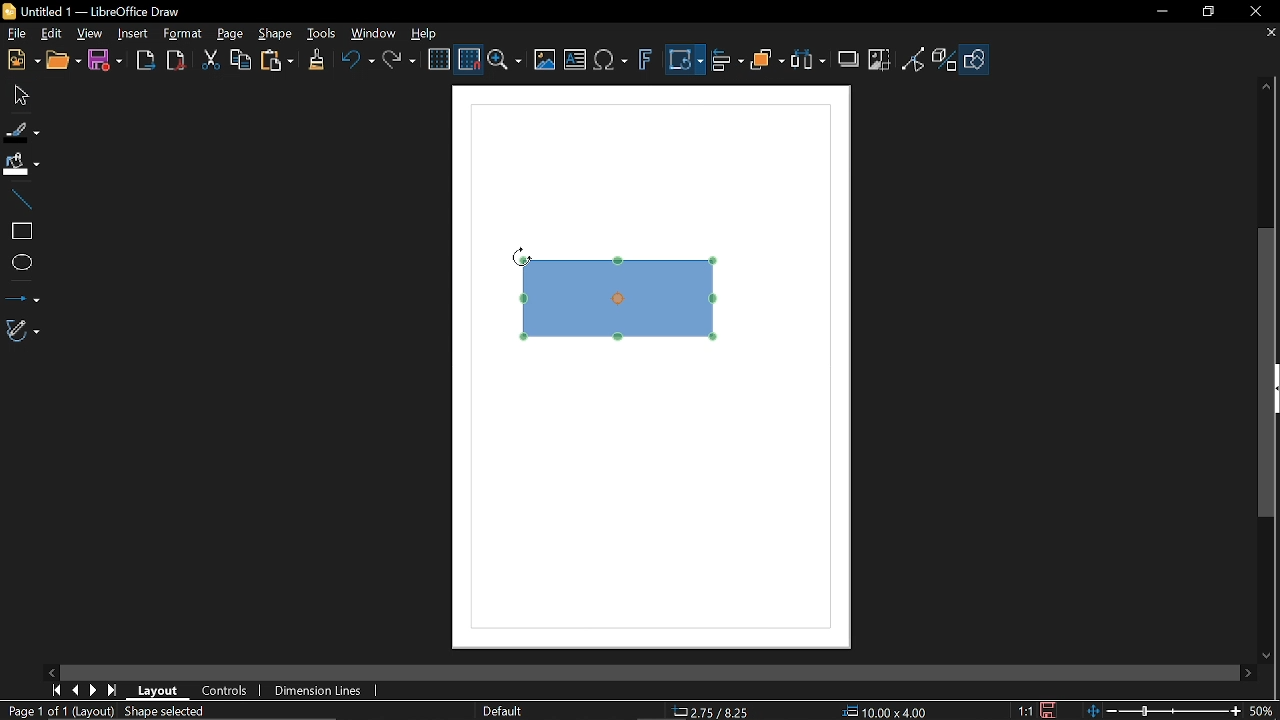  I want to click on Untitled 1 — LibreOffice Draw, so click(108, 11).